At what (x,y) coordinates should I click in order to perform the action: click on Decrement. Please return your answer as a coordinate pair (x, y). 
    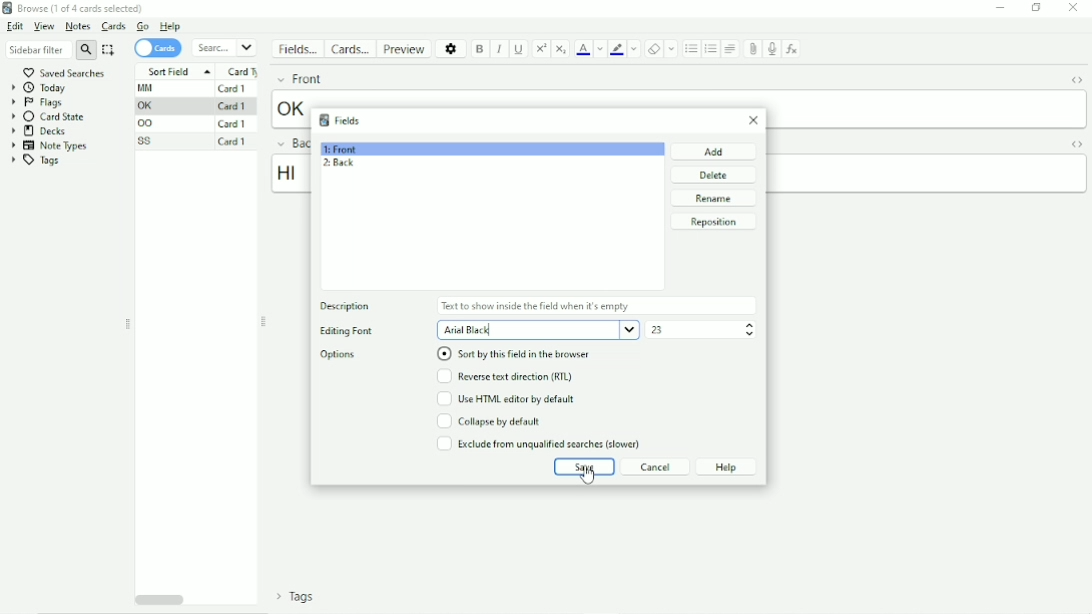
    Looking at the image, I should click on (748, 335).